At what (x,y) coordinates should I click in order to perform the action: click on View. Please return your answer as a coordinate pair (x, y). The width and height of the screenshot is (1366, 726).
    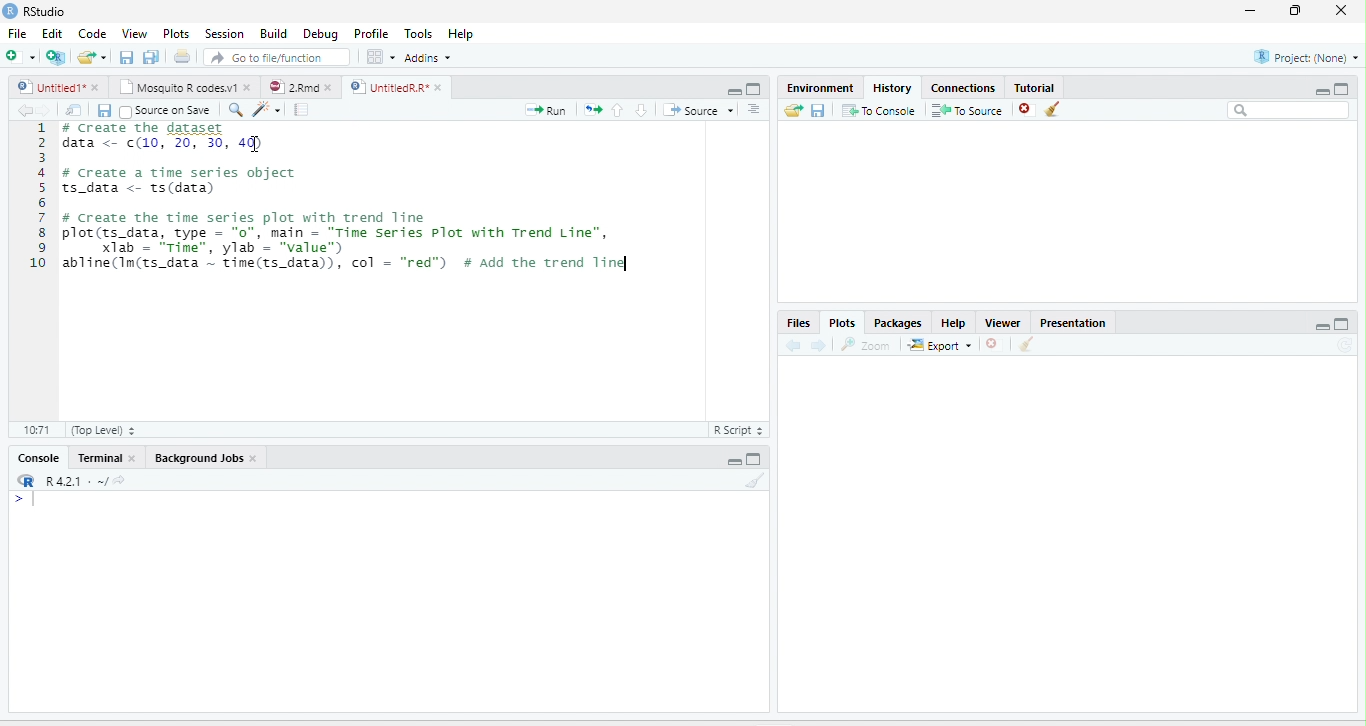
    Looking at the image, I should click on (133, 33).